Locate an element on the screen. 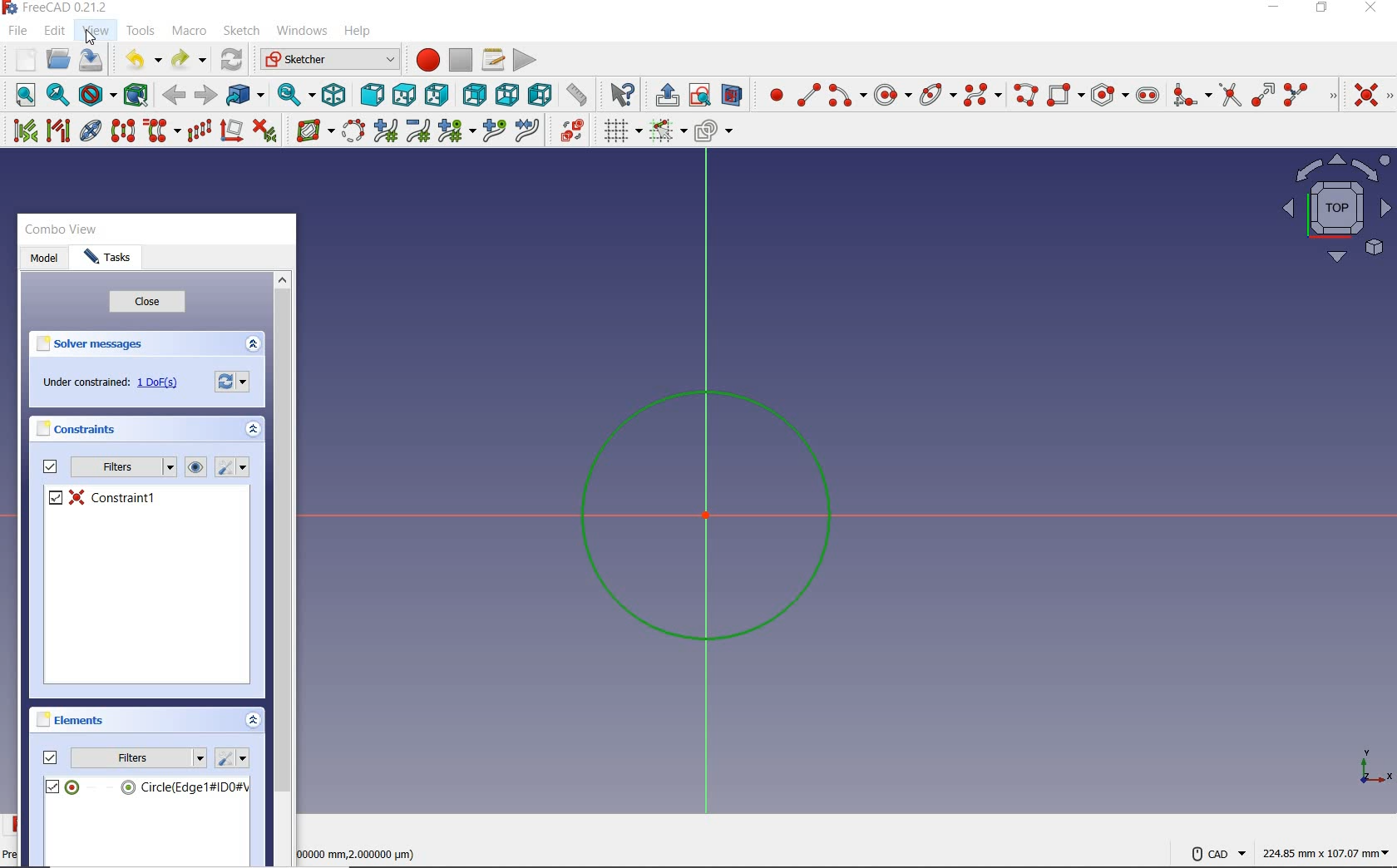 The width and height of the screenshot is (1397, 868). view is located at coordinates (95, 32).